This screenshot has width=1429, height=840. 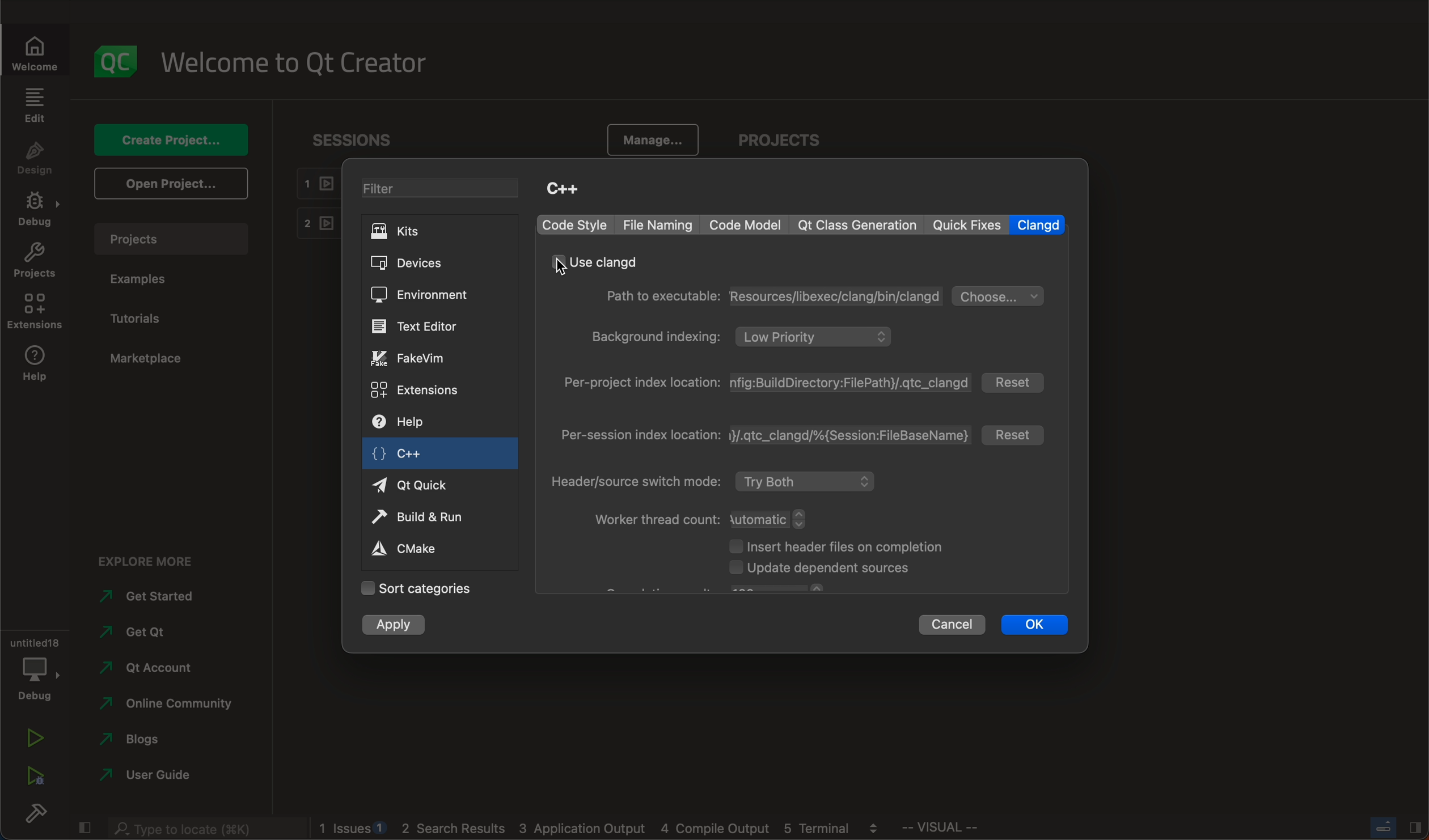 I want to click on get started, so click(x=153, y=596).